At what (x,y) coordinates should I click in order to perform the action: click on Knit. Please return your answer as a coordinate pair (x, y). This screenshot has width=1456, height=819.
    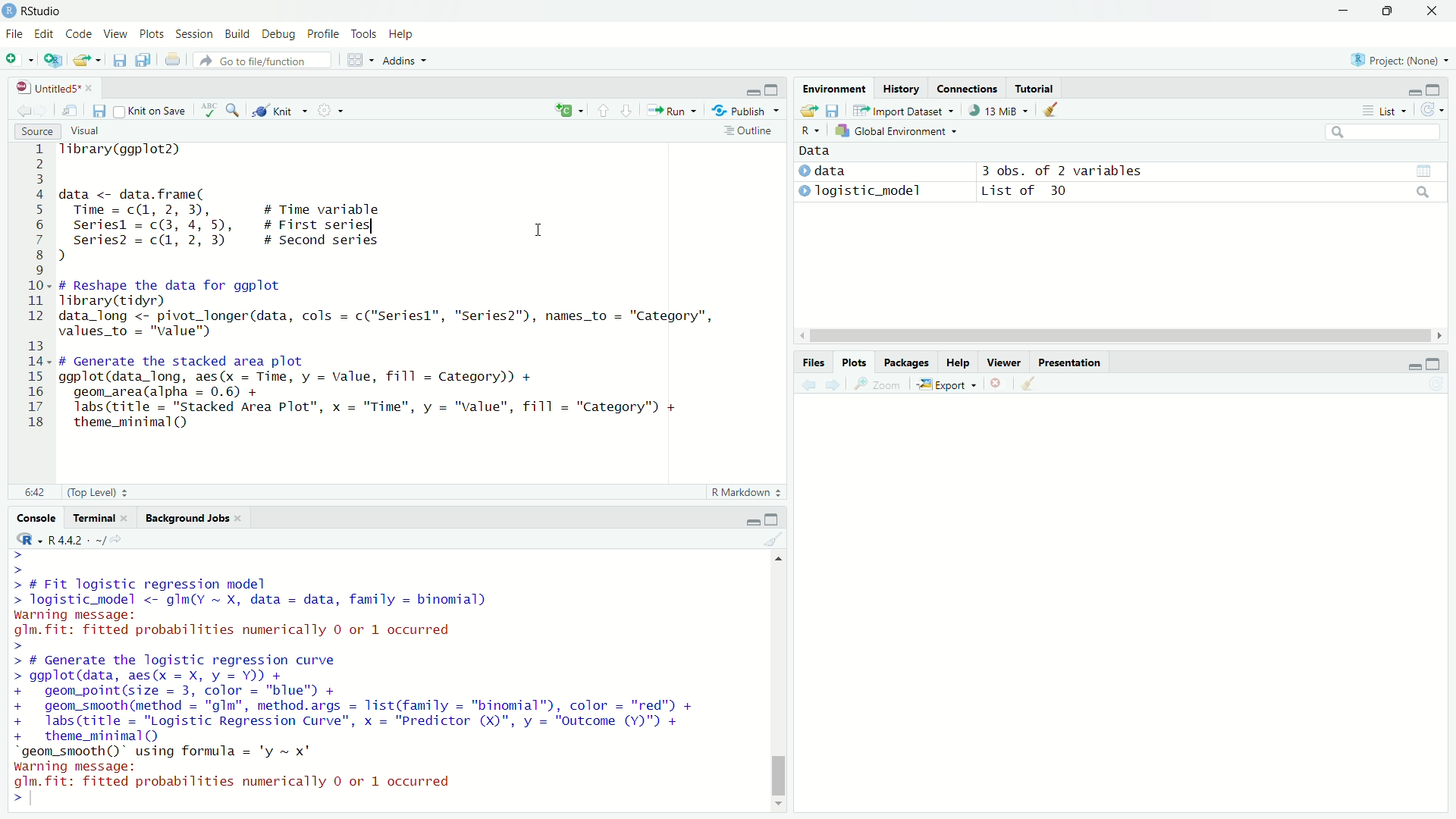
    Looking at the image, I should click on (281, 111).